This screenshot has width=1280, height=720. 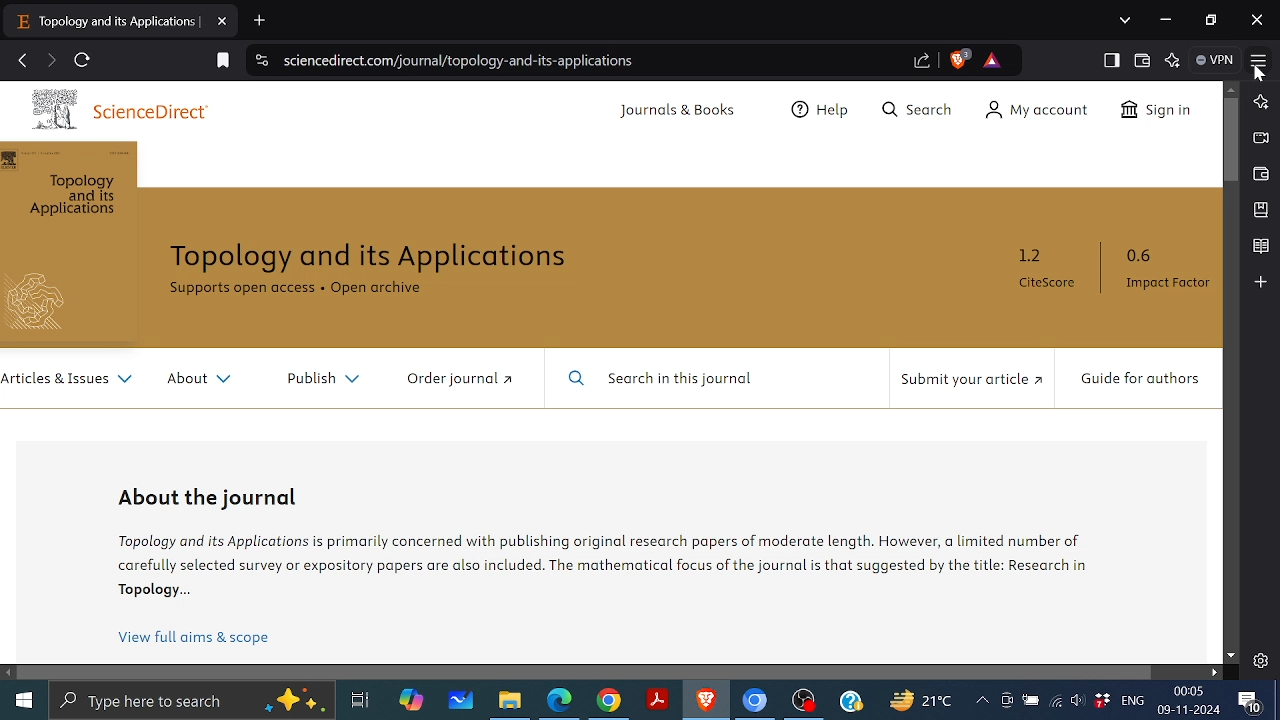 What do you see at coordinates (126, 106) in the screenshot?
I see `Science Direct` at bounding box center [126, 106].